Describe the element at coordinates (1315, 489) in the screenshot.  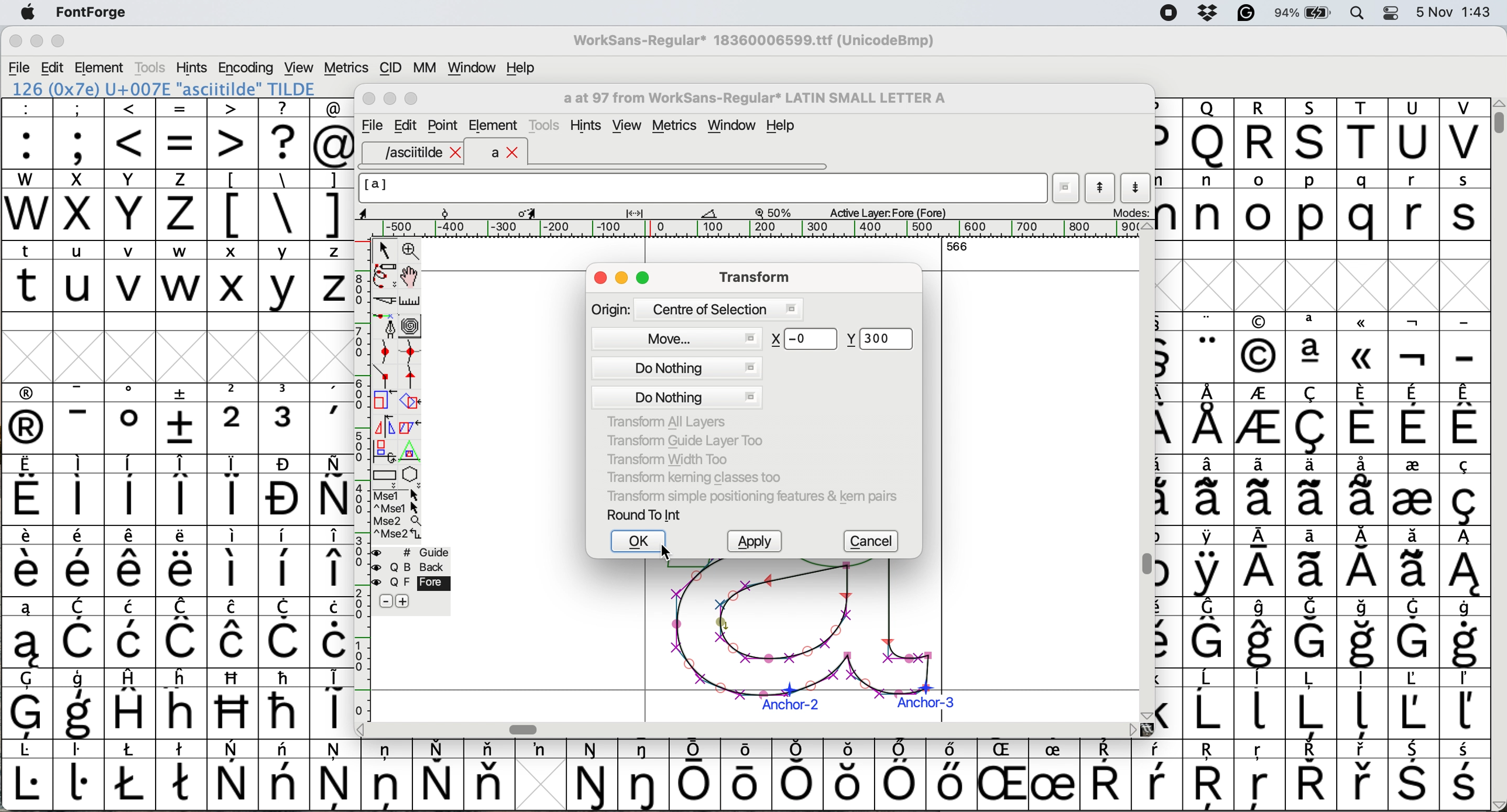
I see `symbol` at that location.